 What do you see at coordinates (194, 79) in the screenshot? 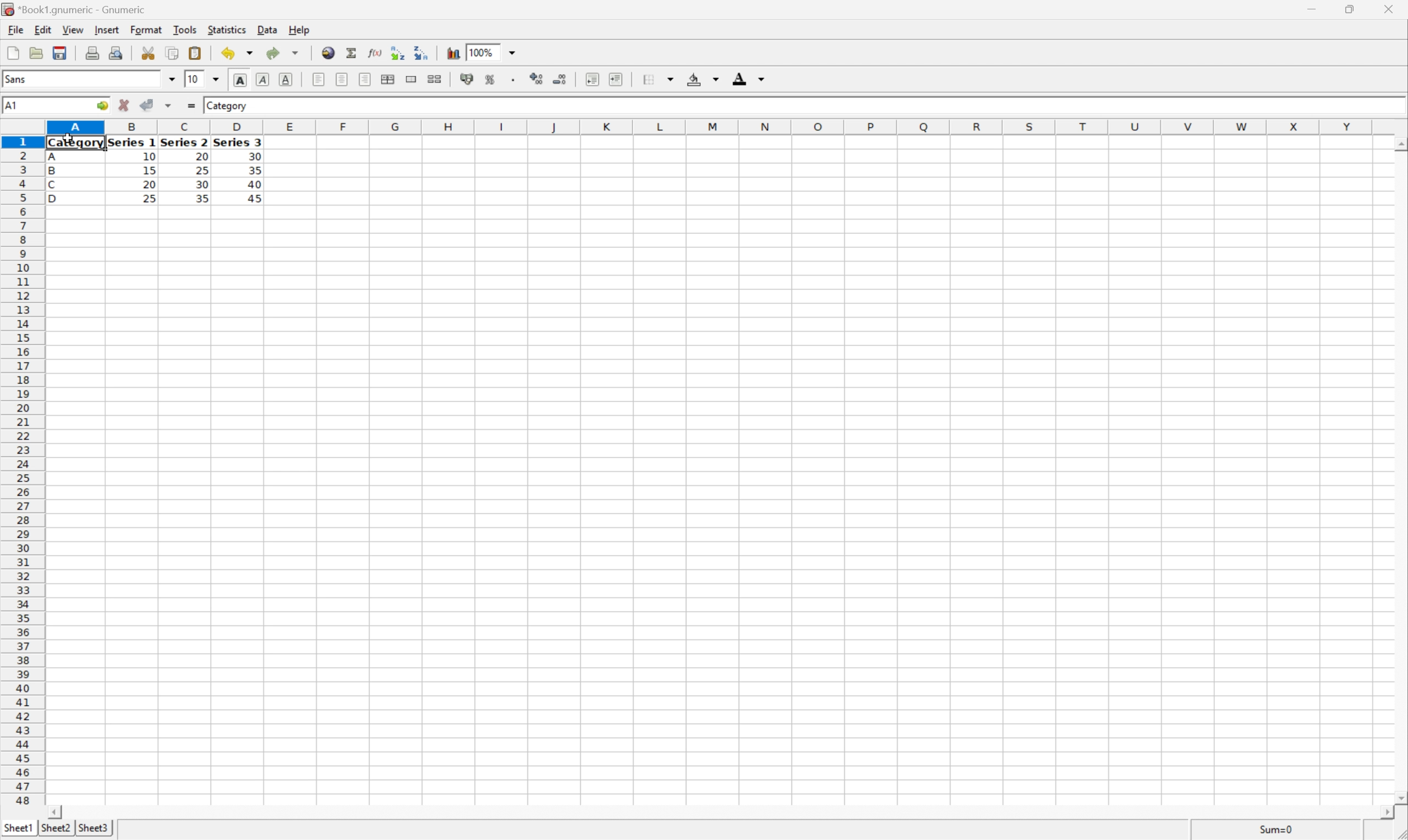
I see `10` at bounding box center [194, 79].